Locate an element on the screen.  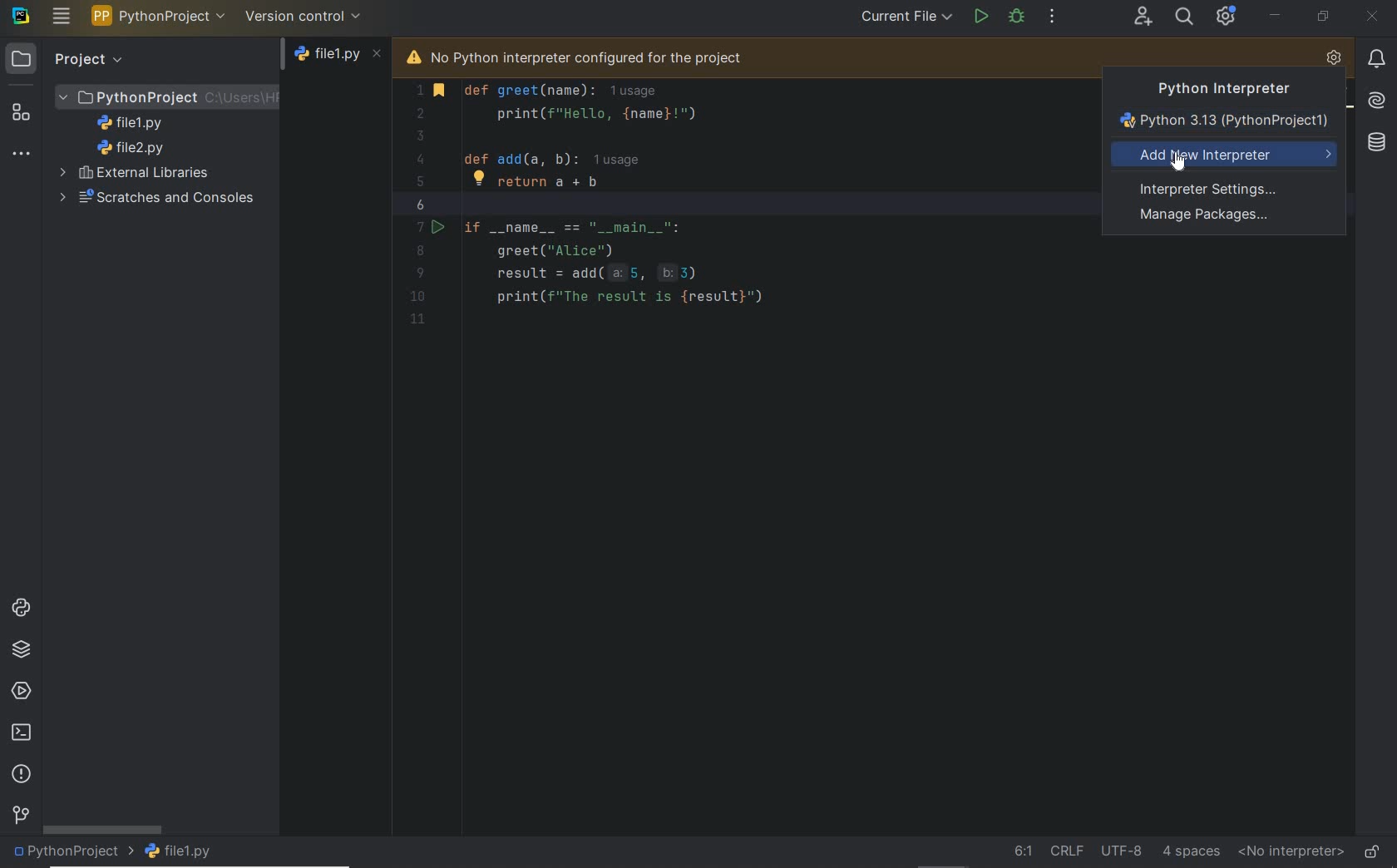
project name is located at coordinates (159, 16).